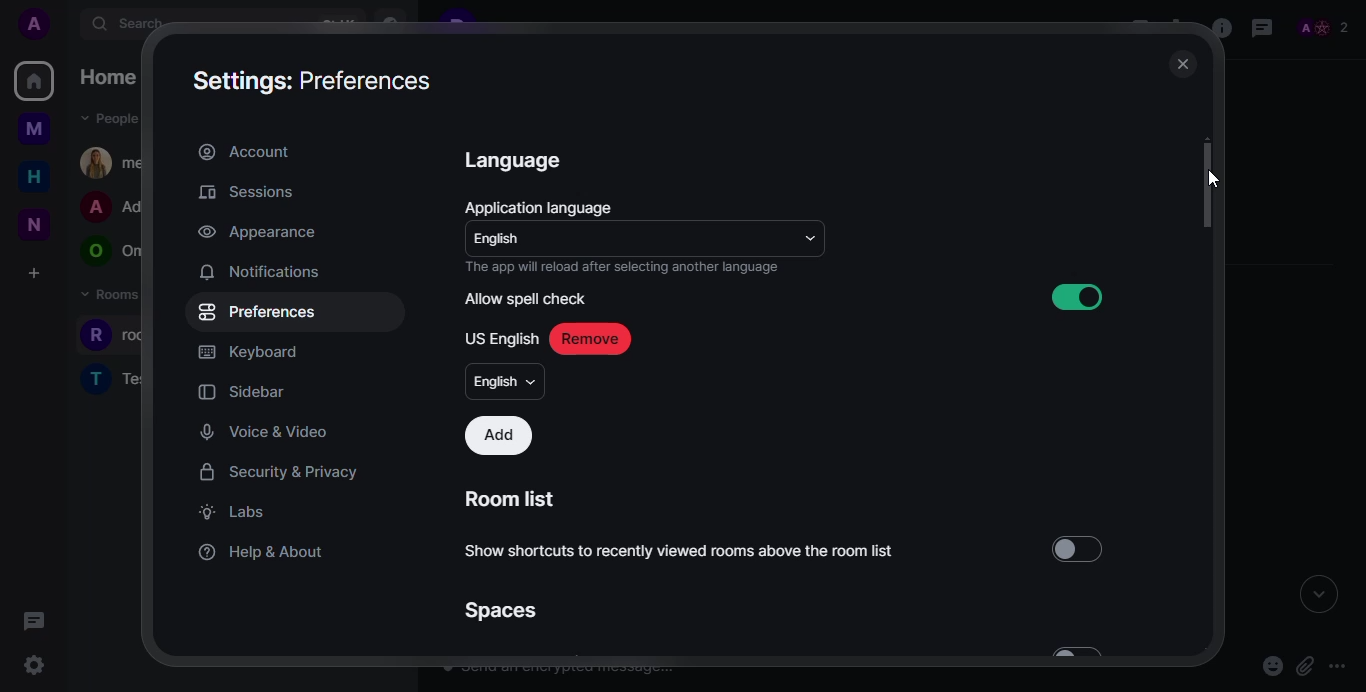  I want to click on new, so click(30, 222).